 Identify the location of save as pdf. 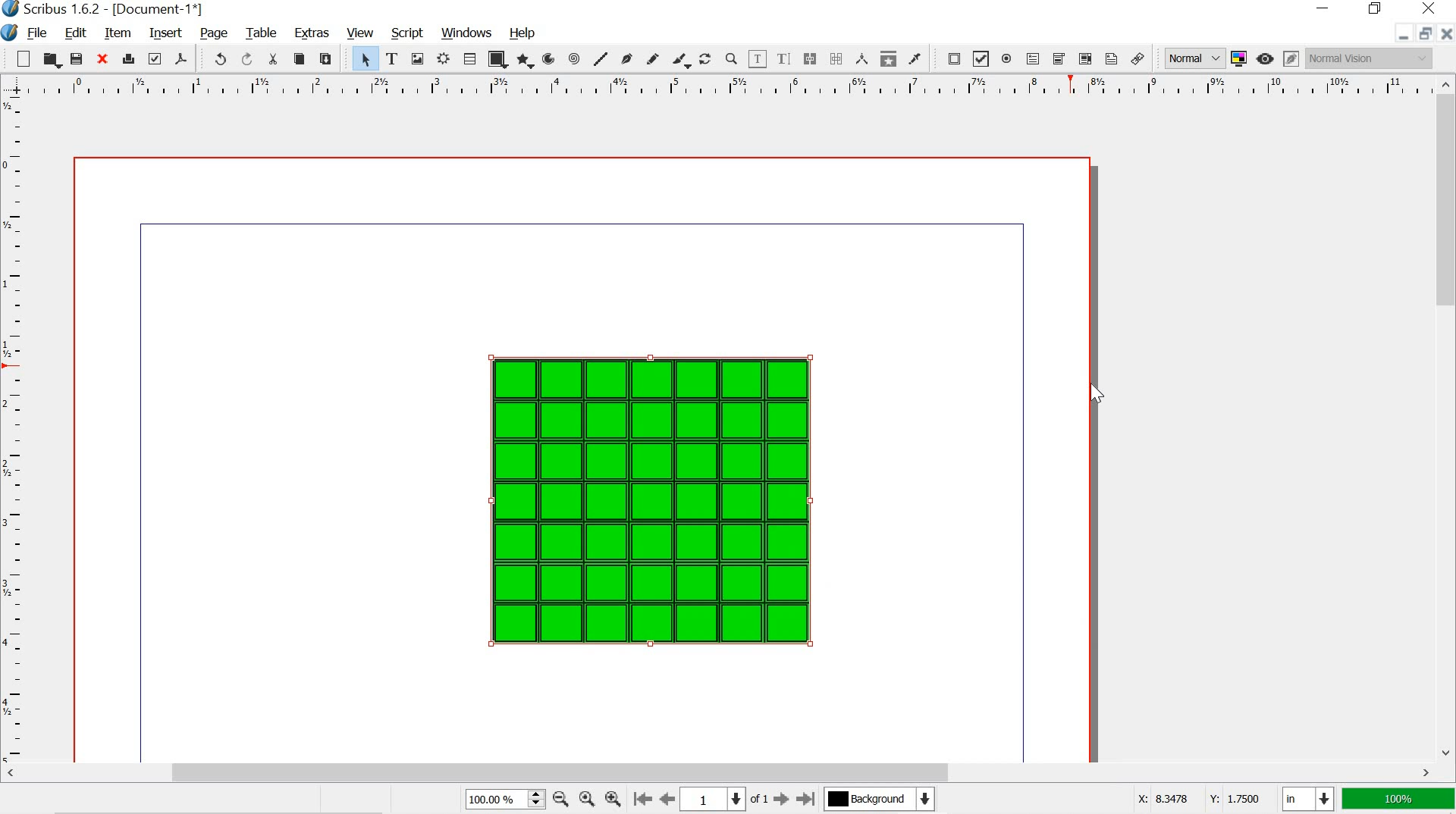
(182, 58).